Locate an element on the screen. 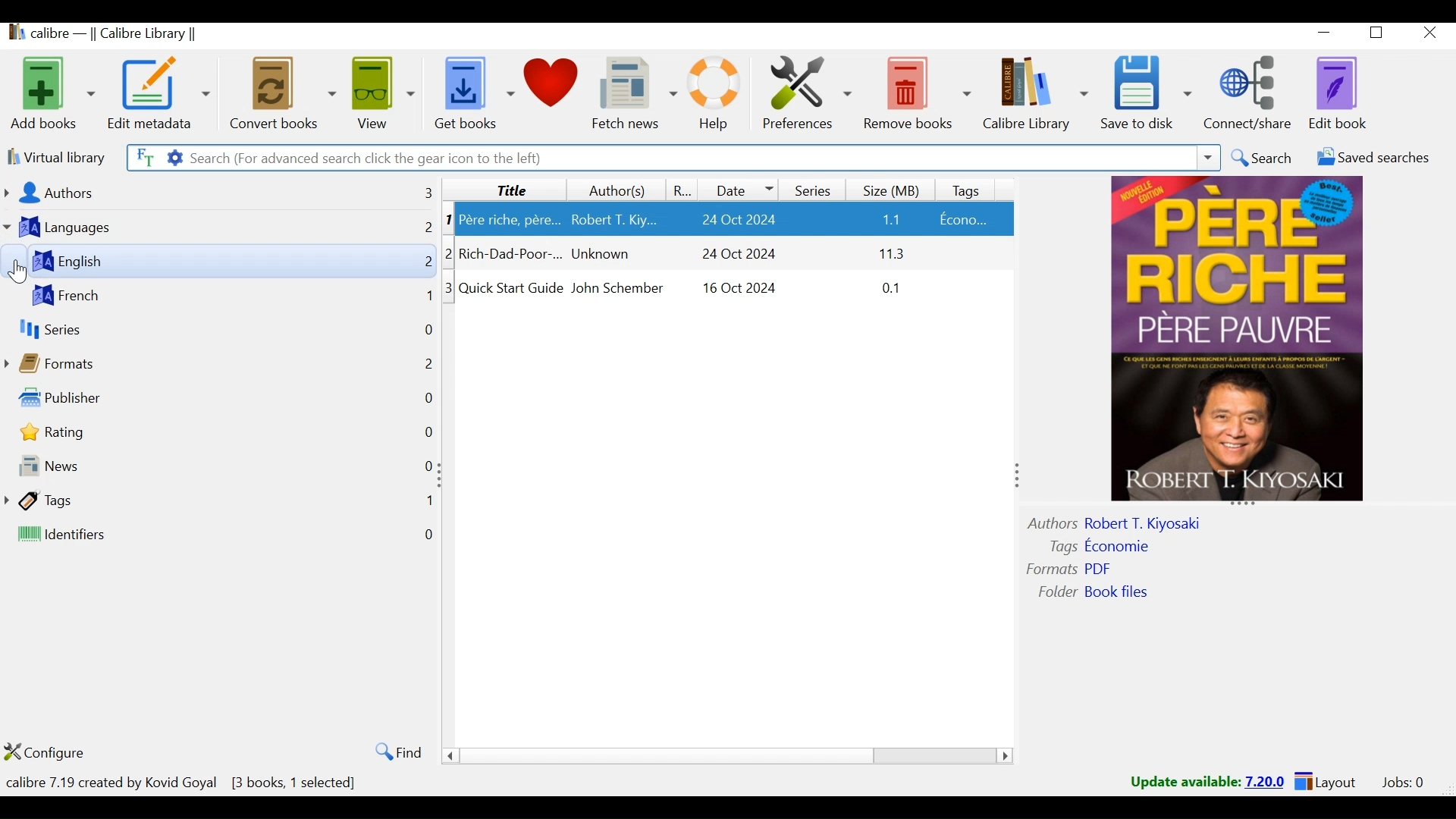 The width and height of the screenshot is (1456, 819). Search is located at coordinates (1262, 158).